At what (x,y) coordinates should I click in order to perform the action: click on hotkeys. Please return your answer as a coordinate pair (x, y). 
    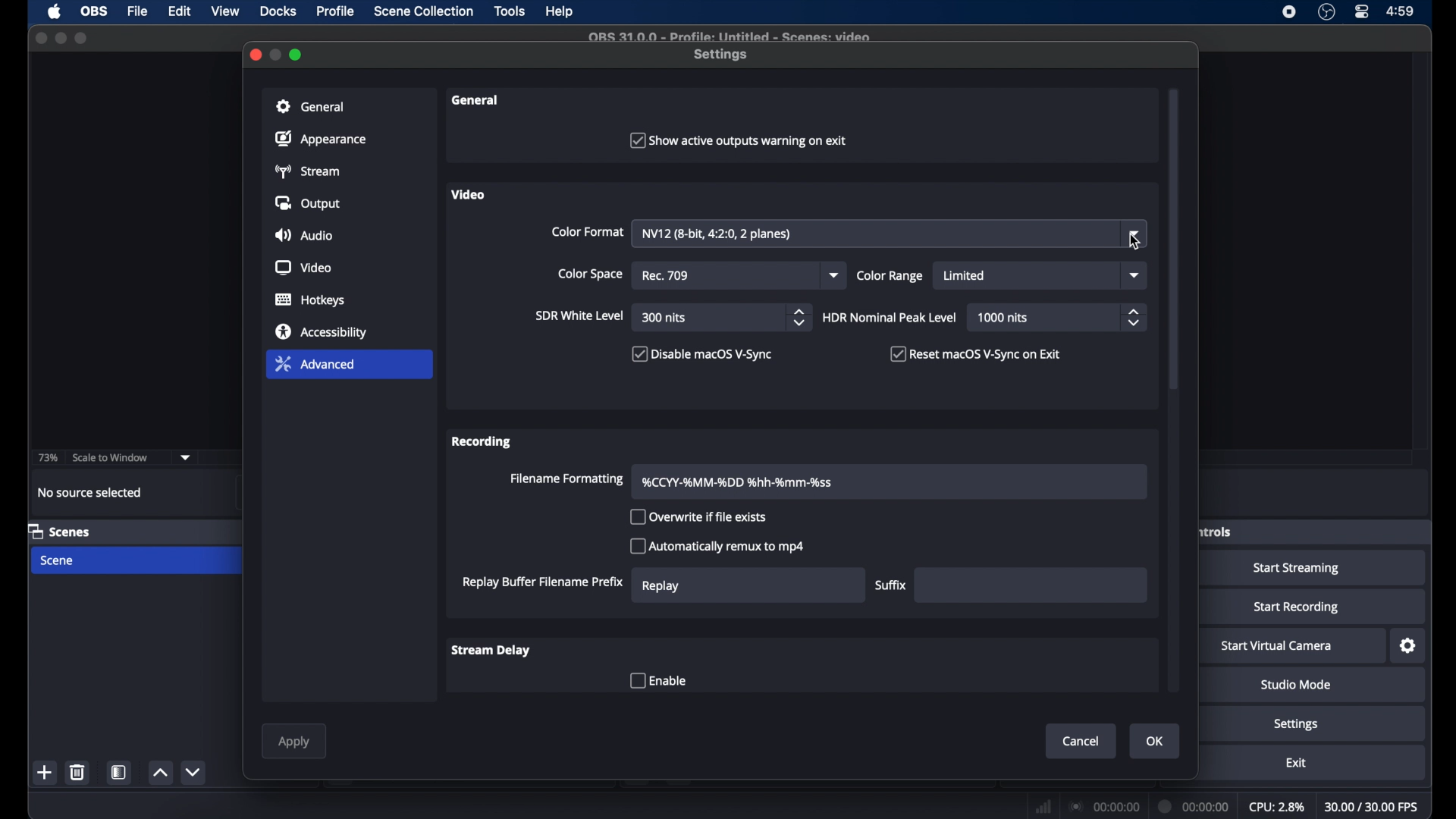
    Looking at the image, I should click on (310, 300).